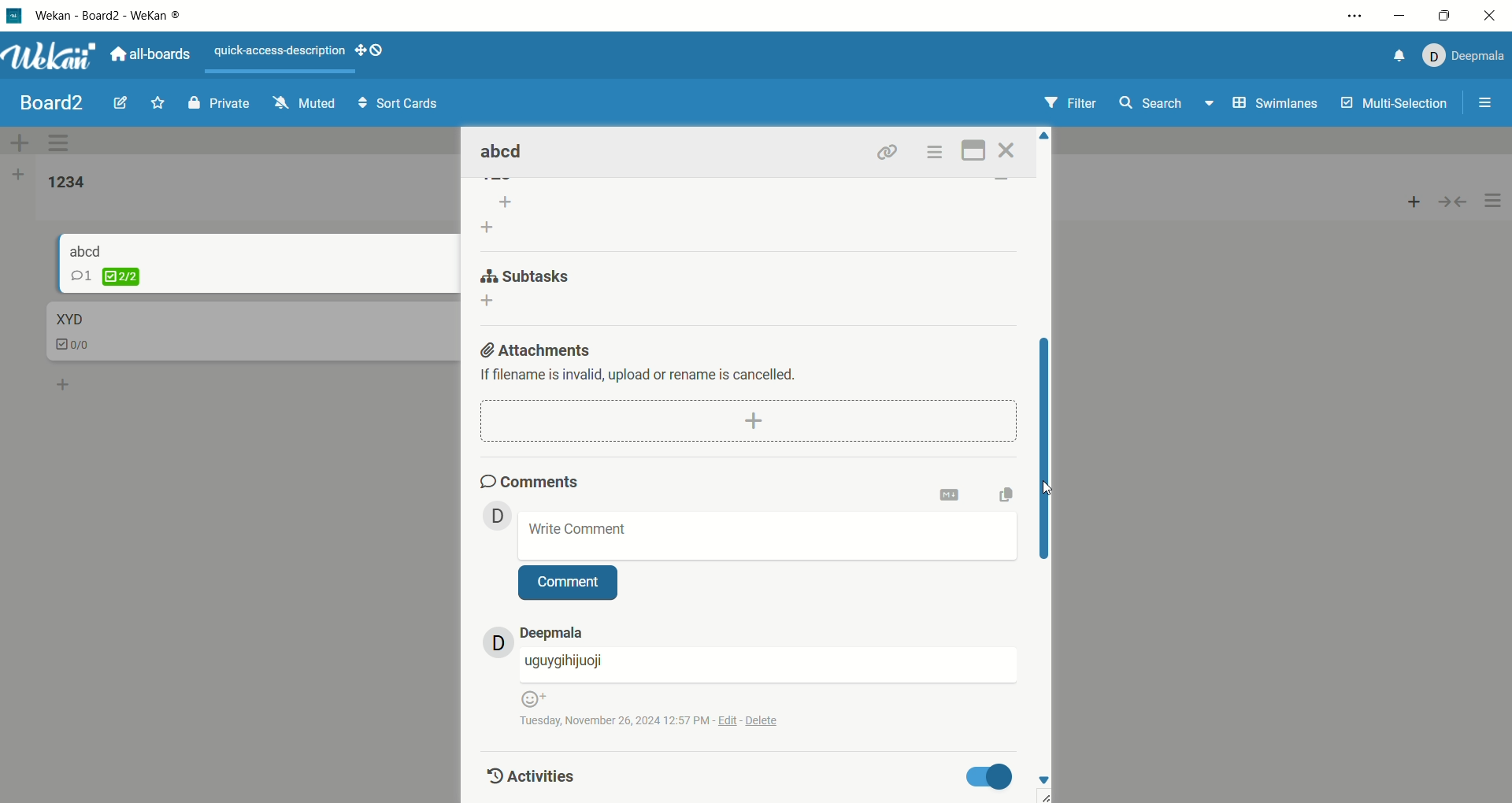  Describe the element at coordinates (493, 302) in the screenshot. I see `add` at that location.